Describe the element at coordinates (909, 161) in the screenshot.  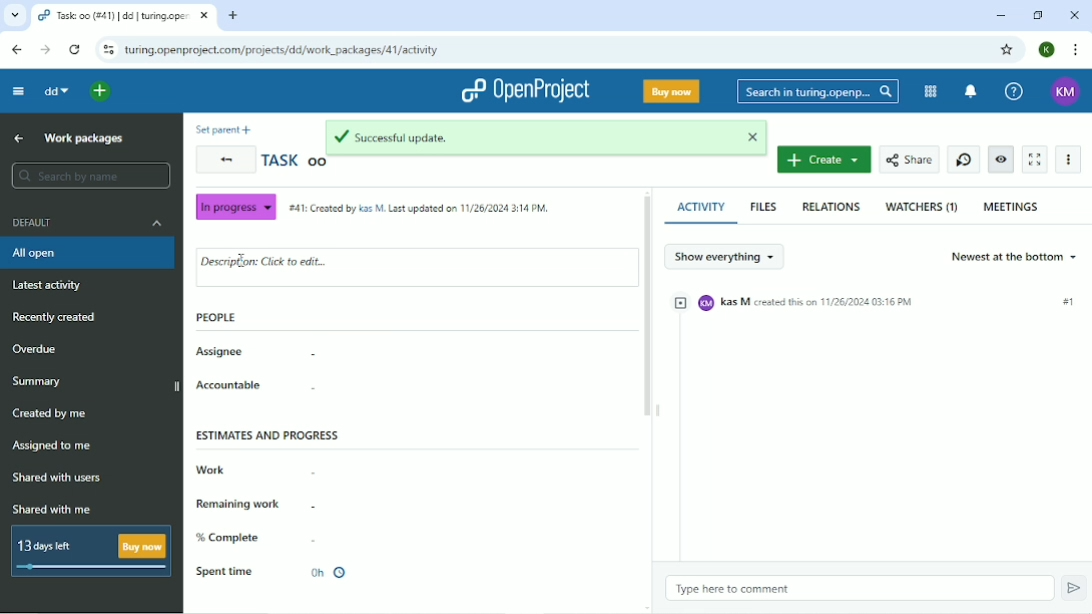
I see `Share` at that location.